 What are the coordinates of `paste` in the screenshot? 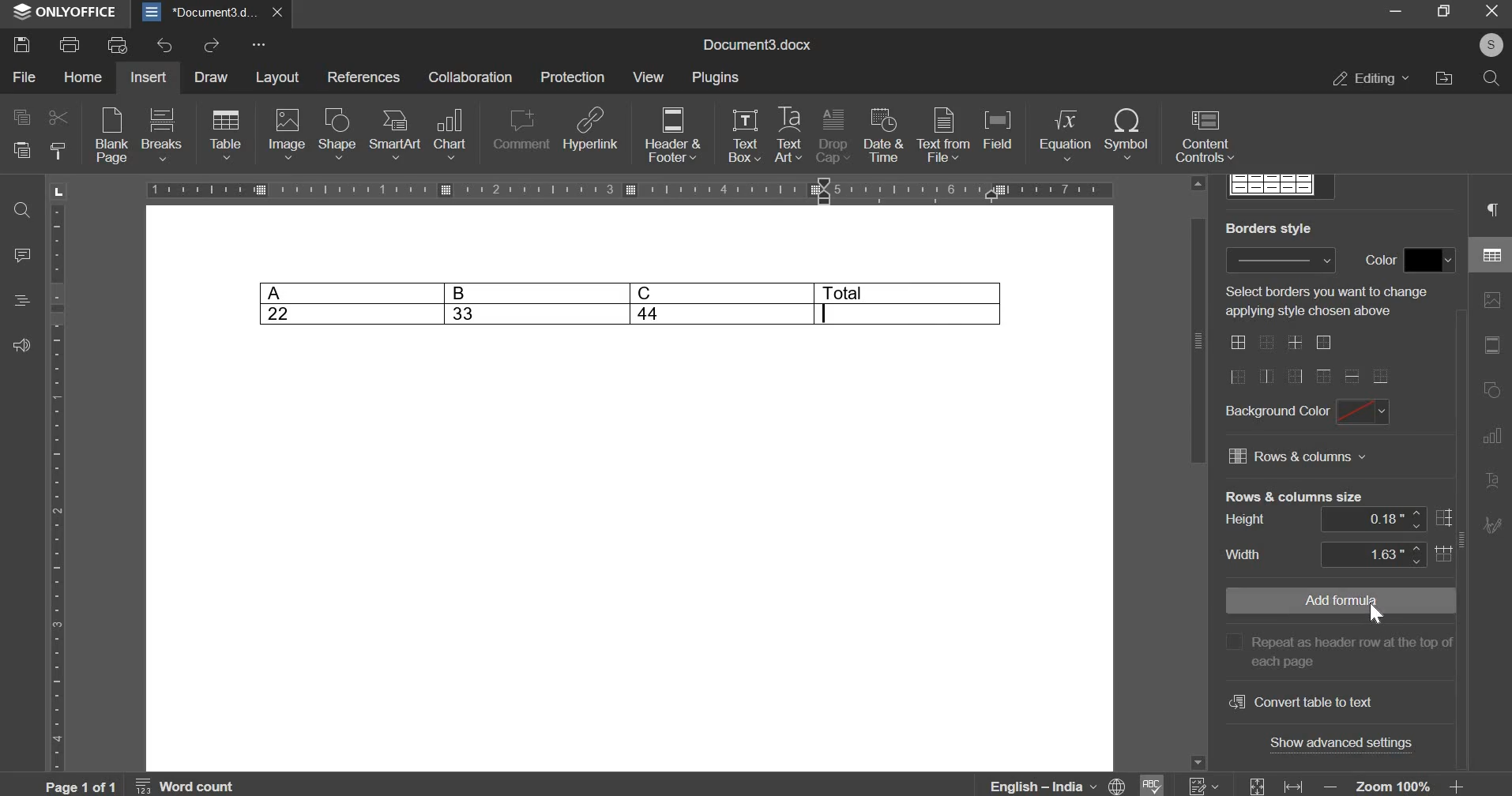 It's located at (19, 150).